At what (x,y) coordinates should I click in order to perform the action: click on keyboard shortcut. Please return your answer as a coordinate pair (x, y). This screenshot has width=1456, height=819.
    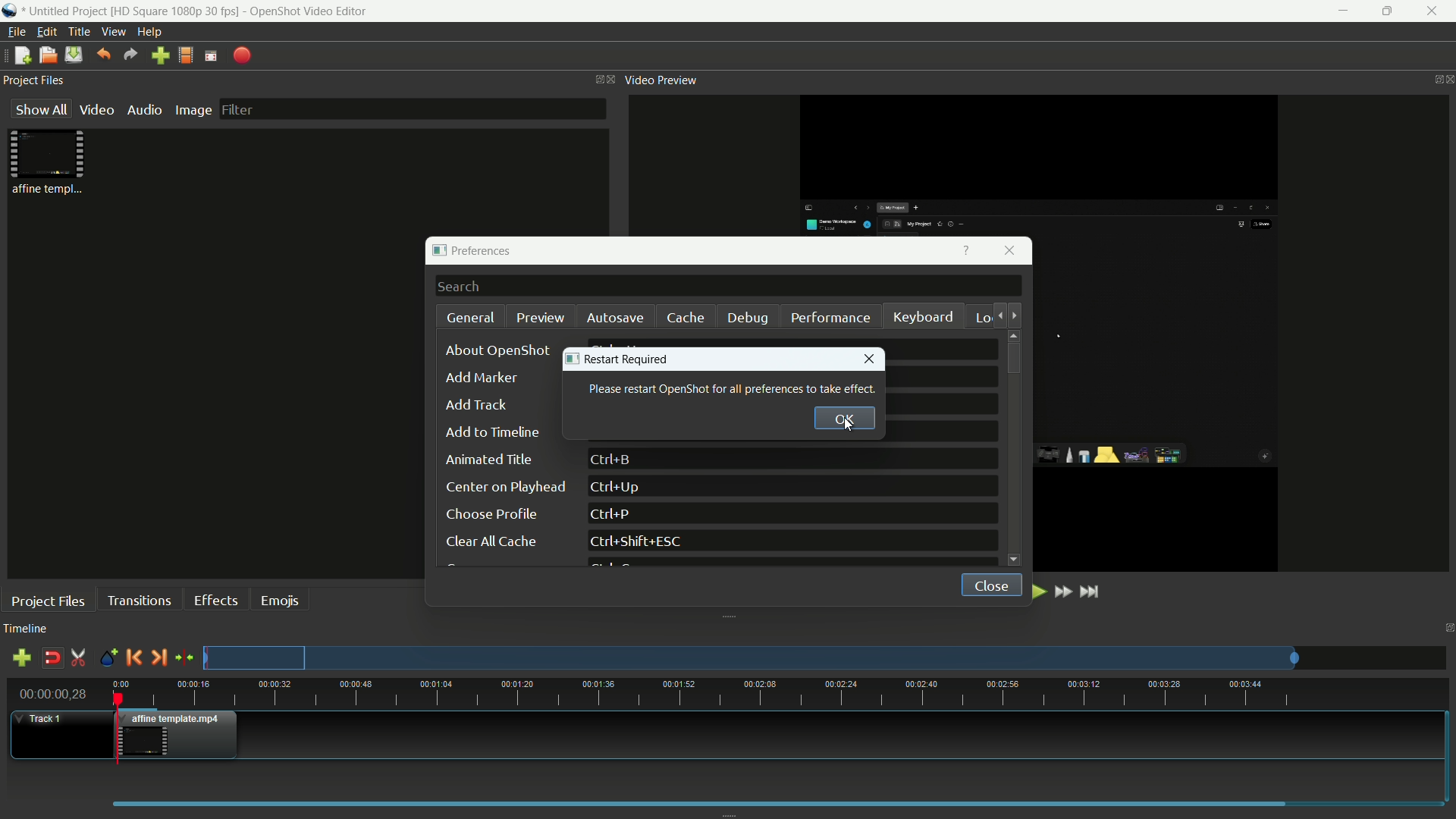
    Looking at the image, I should click on (639, 542).